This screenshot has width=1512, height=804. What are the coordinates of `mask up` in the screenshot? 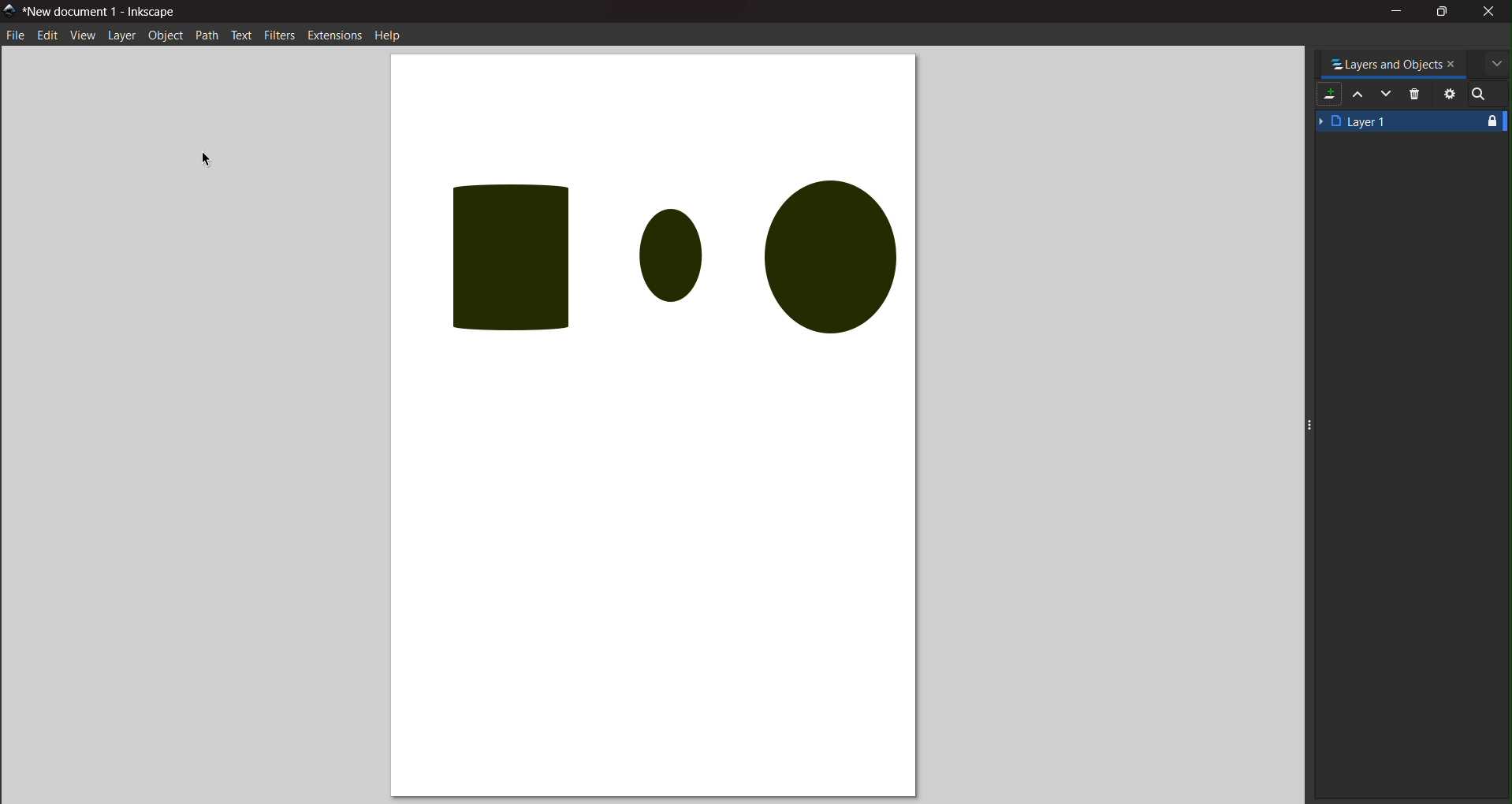 It's located at (1358, 95).